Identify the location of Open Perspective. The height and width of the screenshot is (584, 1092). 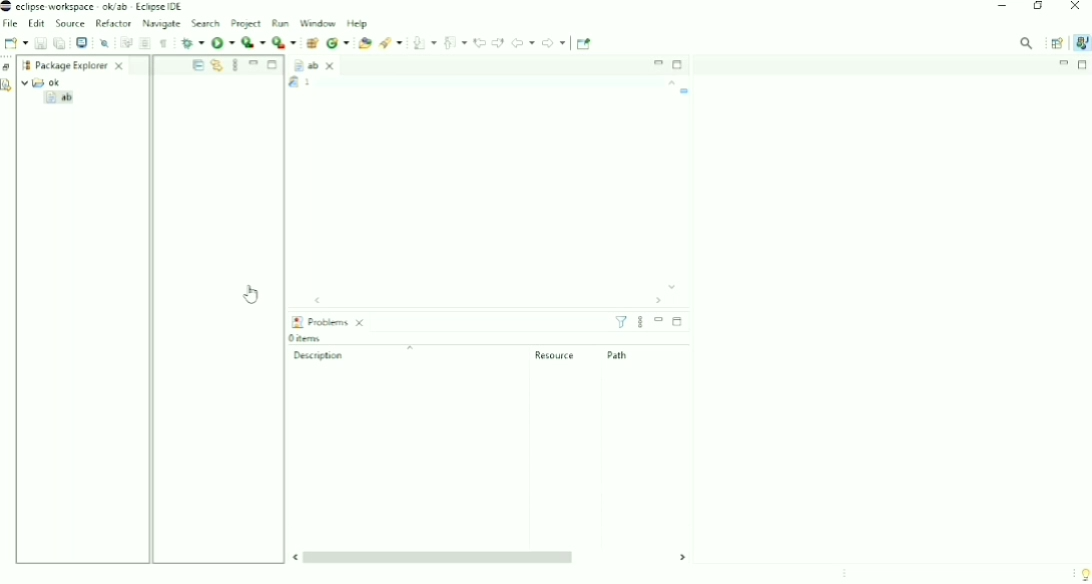
(1055, 42).